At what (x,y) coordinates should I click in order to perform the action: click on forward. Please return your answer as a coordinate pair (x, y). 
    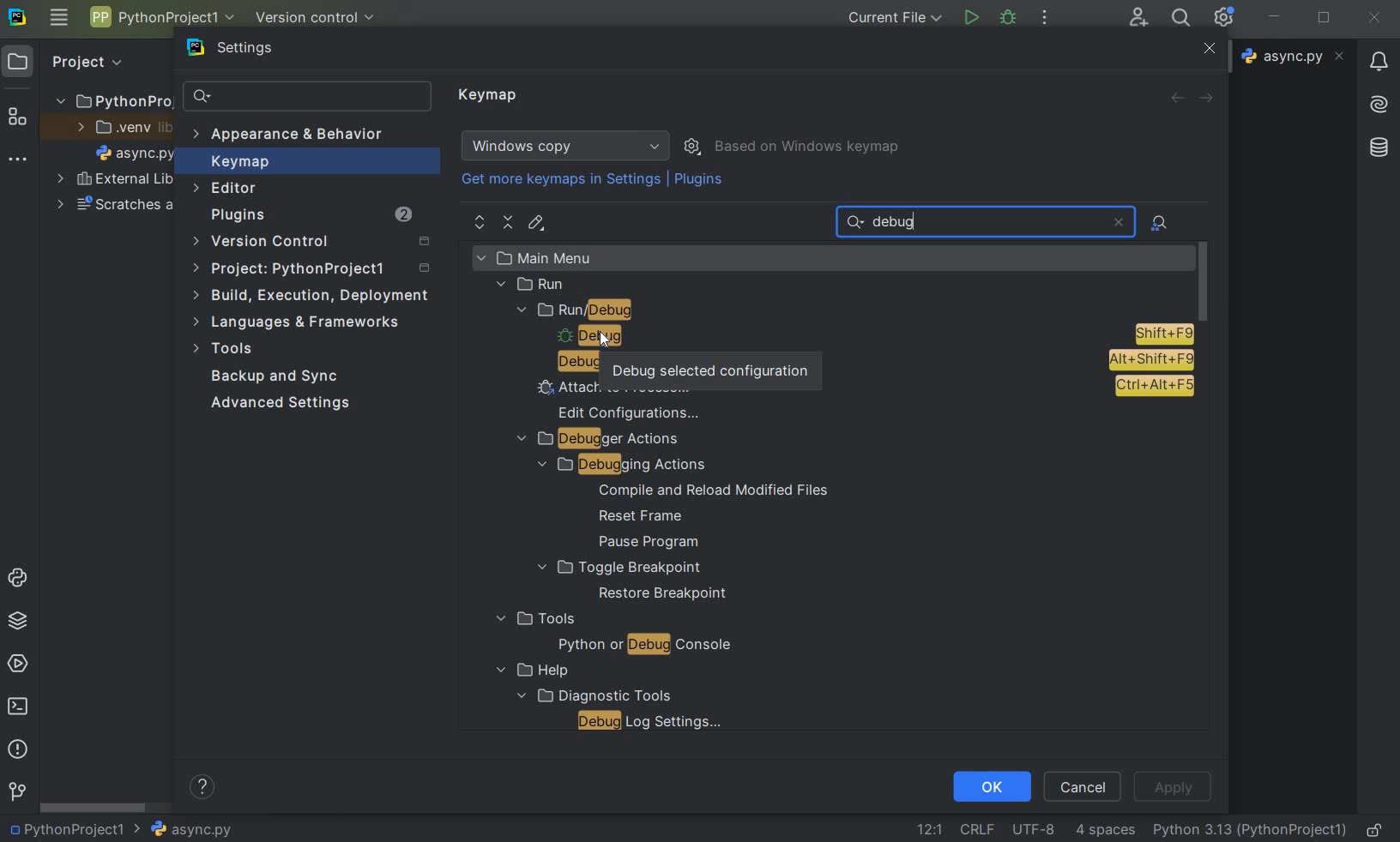
    Looking at the image, I should click on (1210, 99).